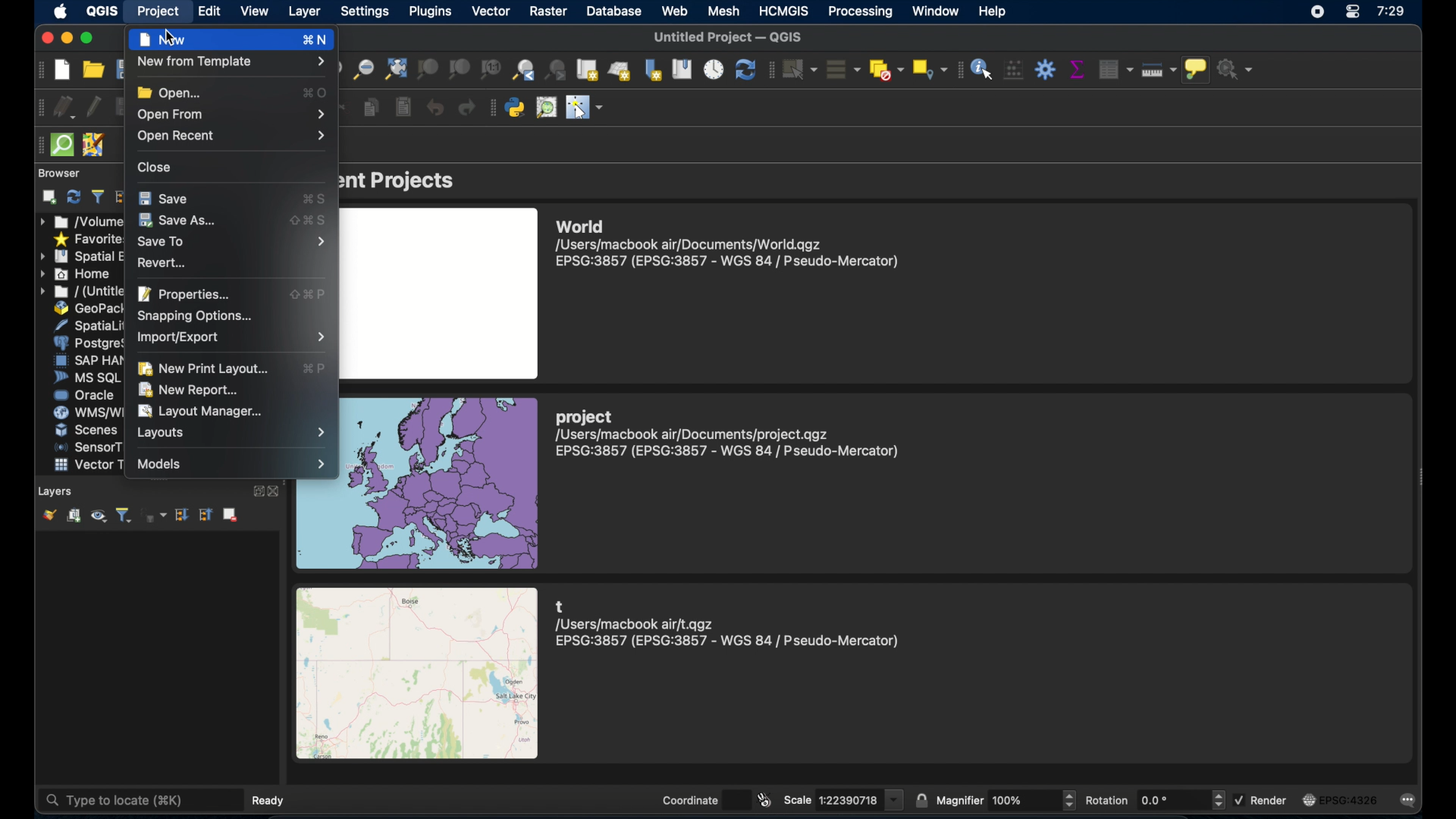  I want to click on EPSG:3857 (EPSG:3857 - WGS 84 | Pseudo-Mercator), so click(727, 451).